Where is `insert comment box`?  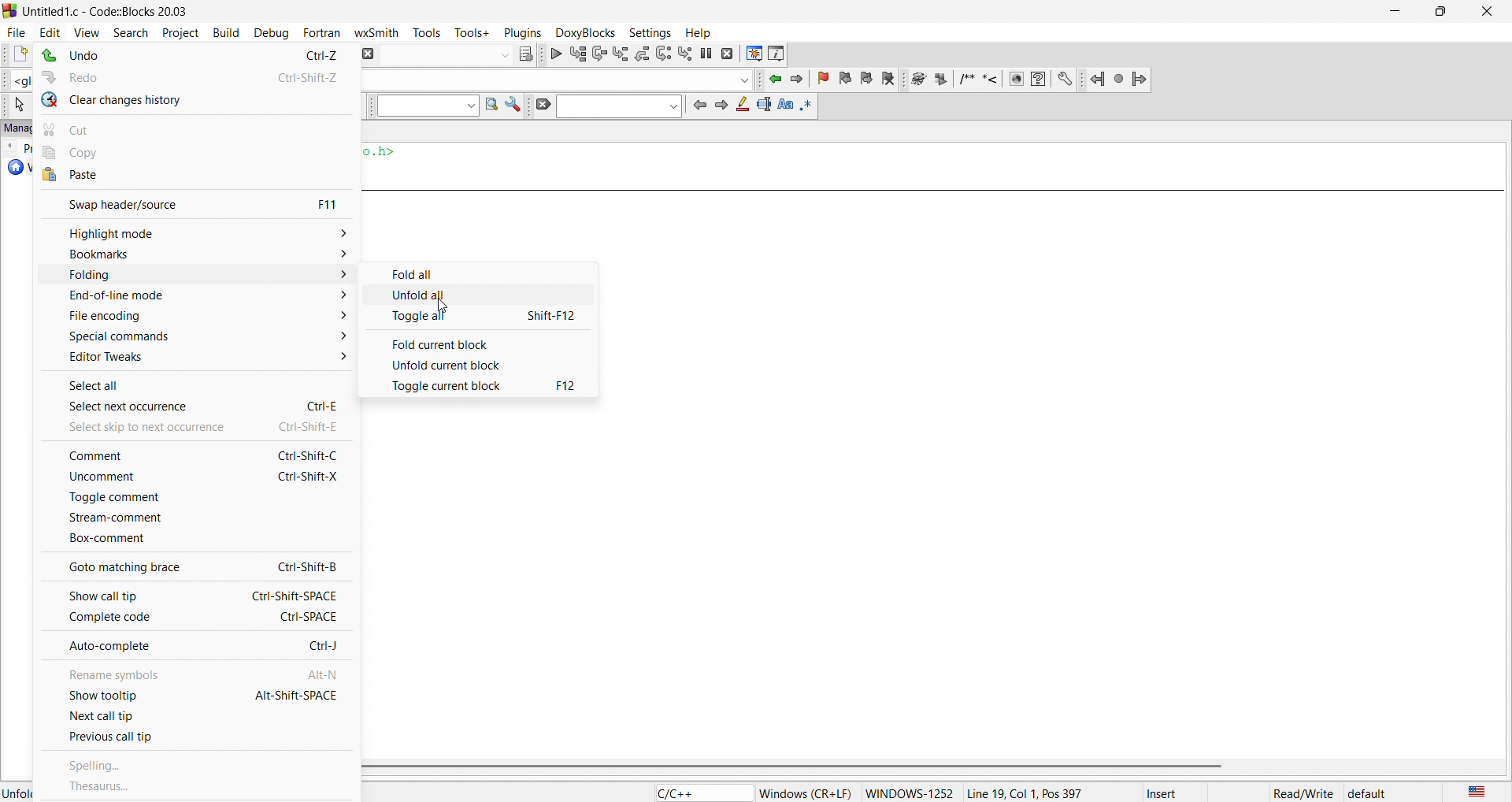 insert comment box is located at coordinates (965, 79).